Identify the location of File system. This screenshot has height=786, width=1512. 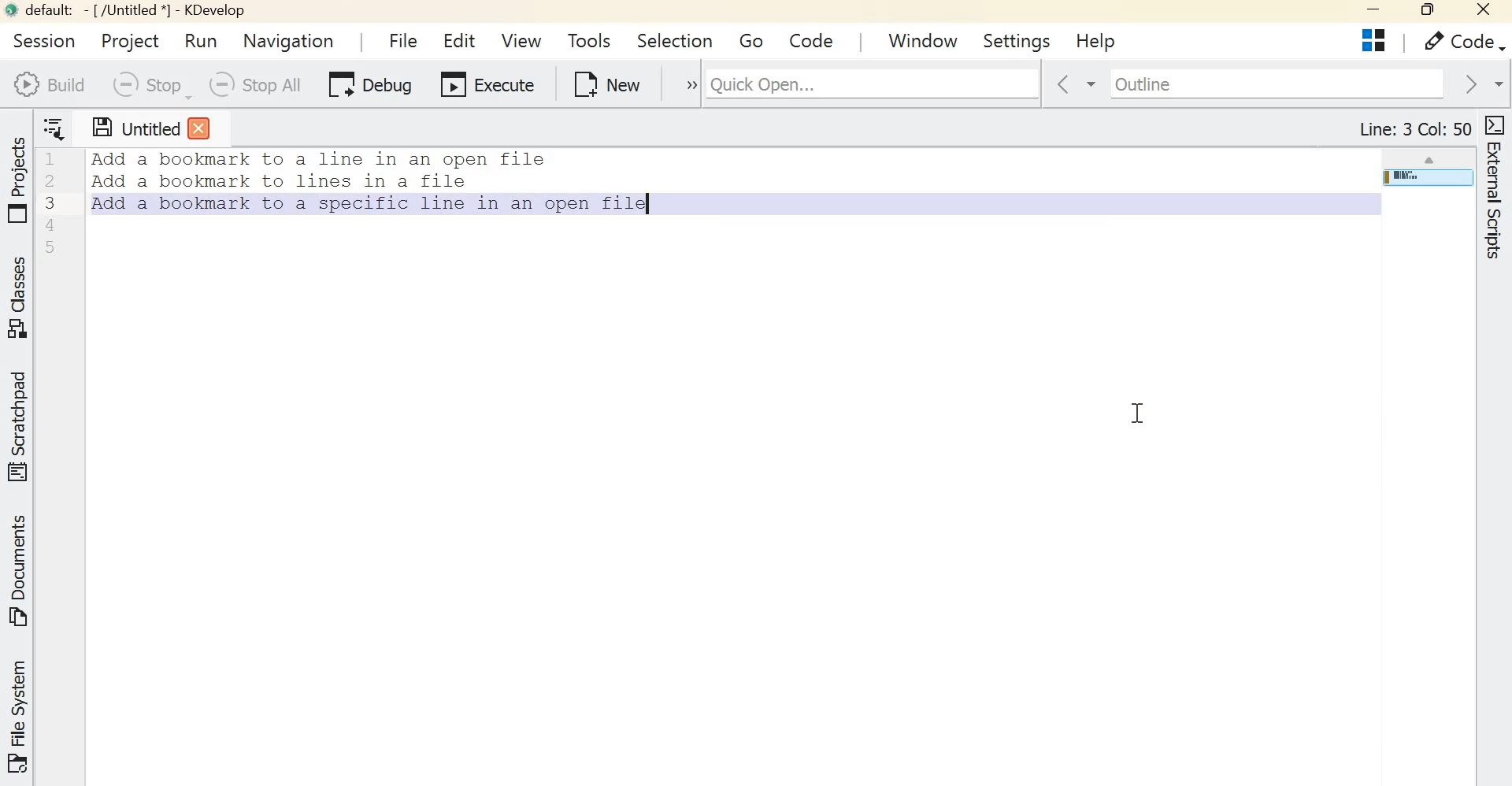
(21, 715).